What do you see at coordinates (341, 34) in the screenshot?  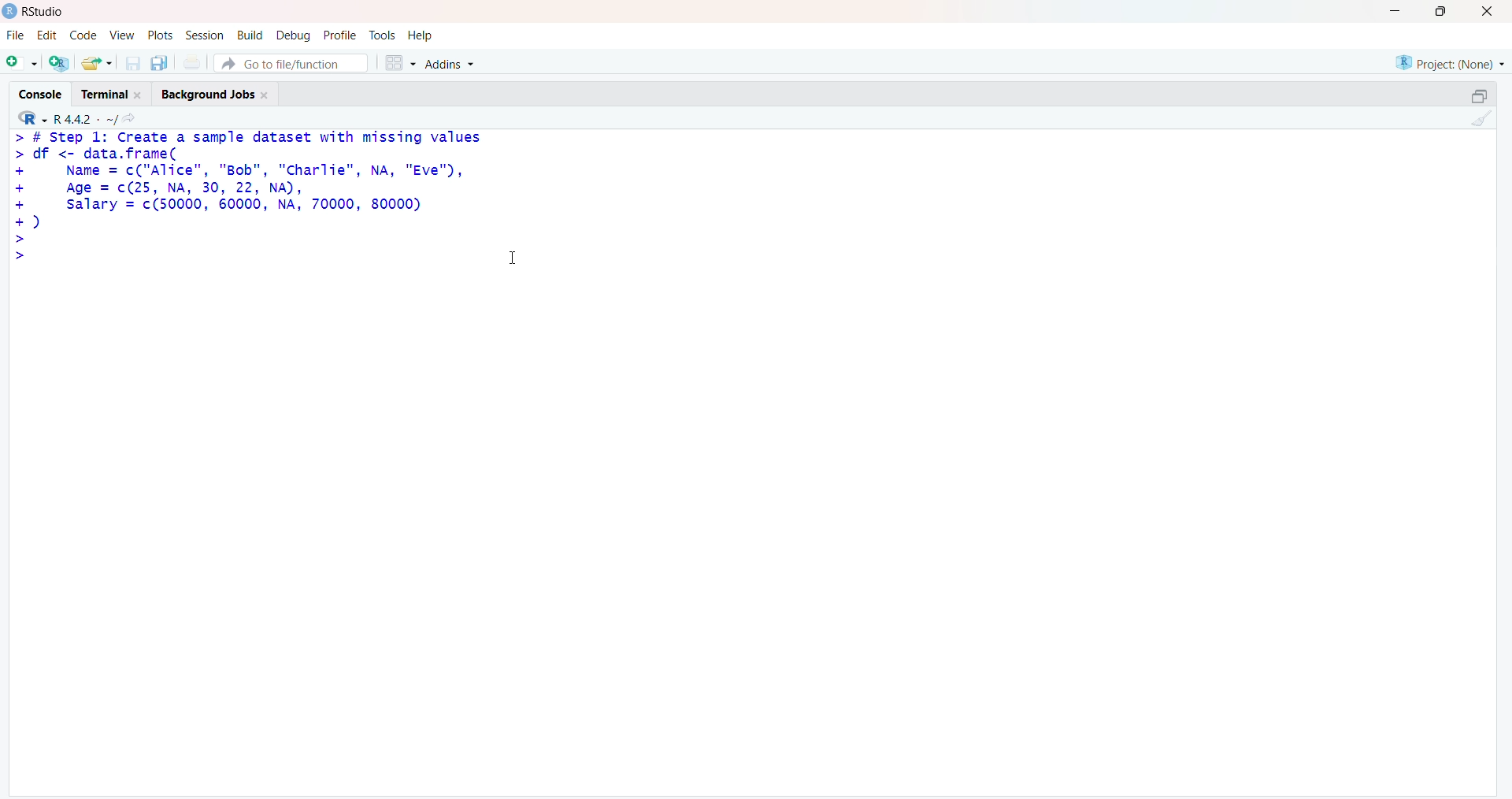 I see `Profile` at bounding box center [341, 34].